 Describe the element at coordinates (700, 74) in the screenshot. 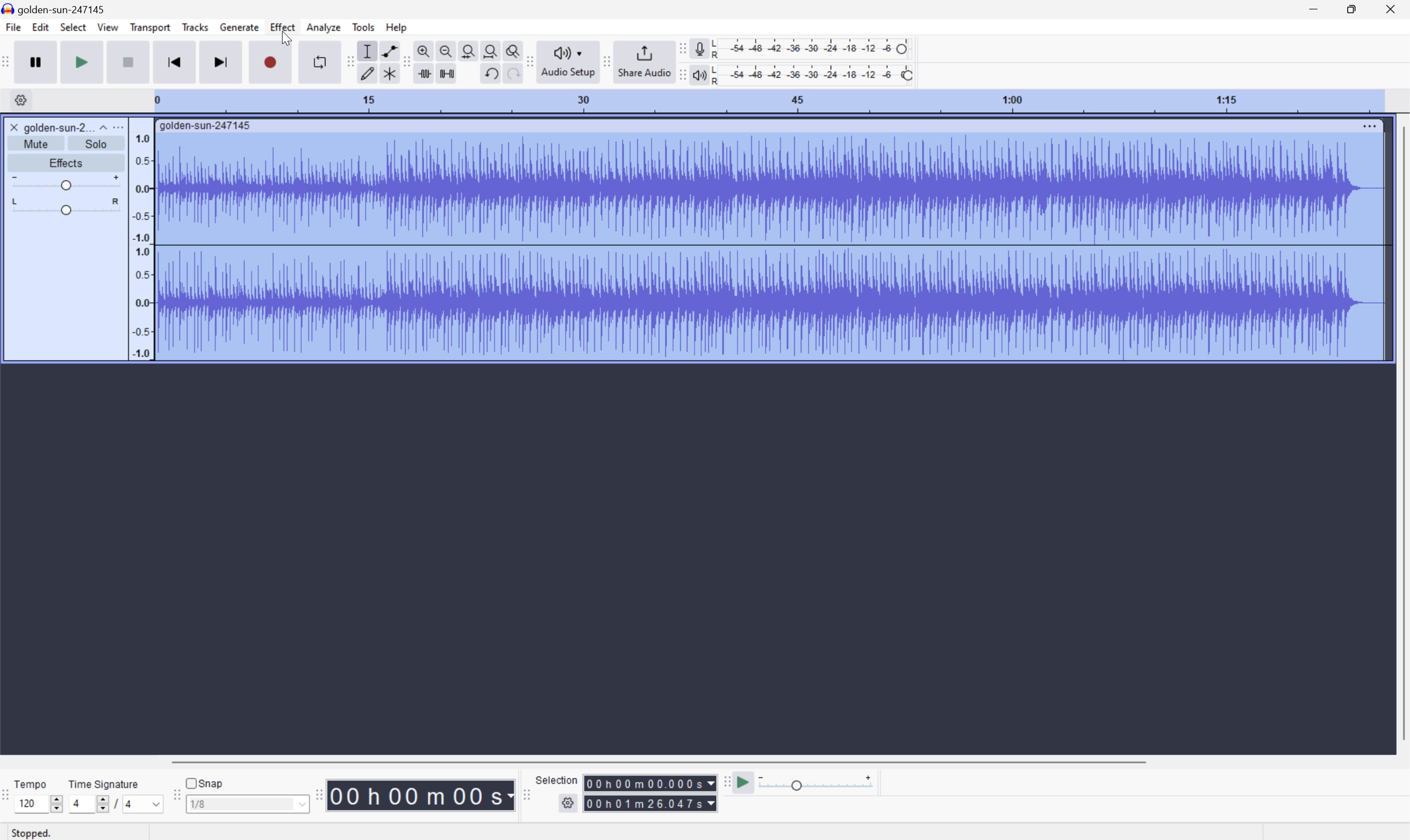

I see `Playback meter` at that location.